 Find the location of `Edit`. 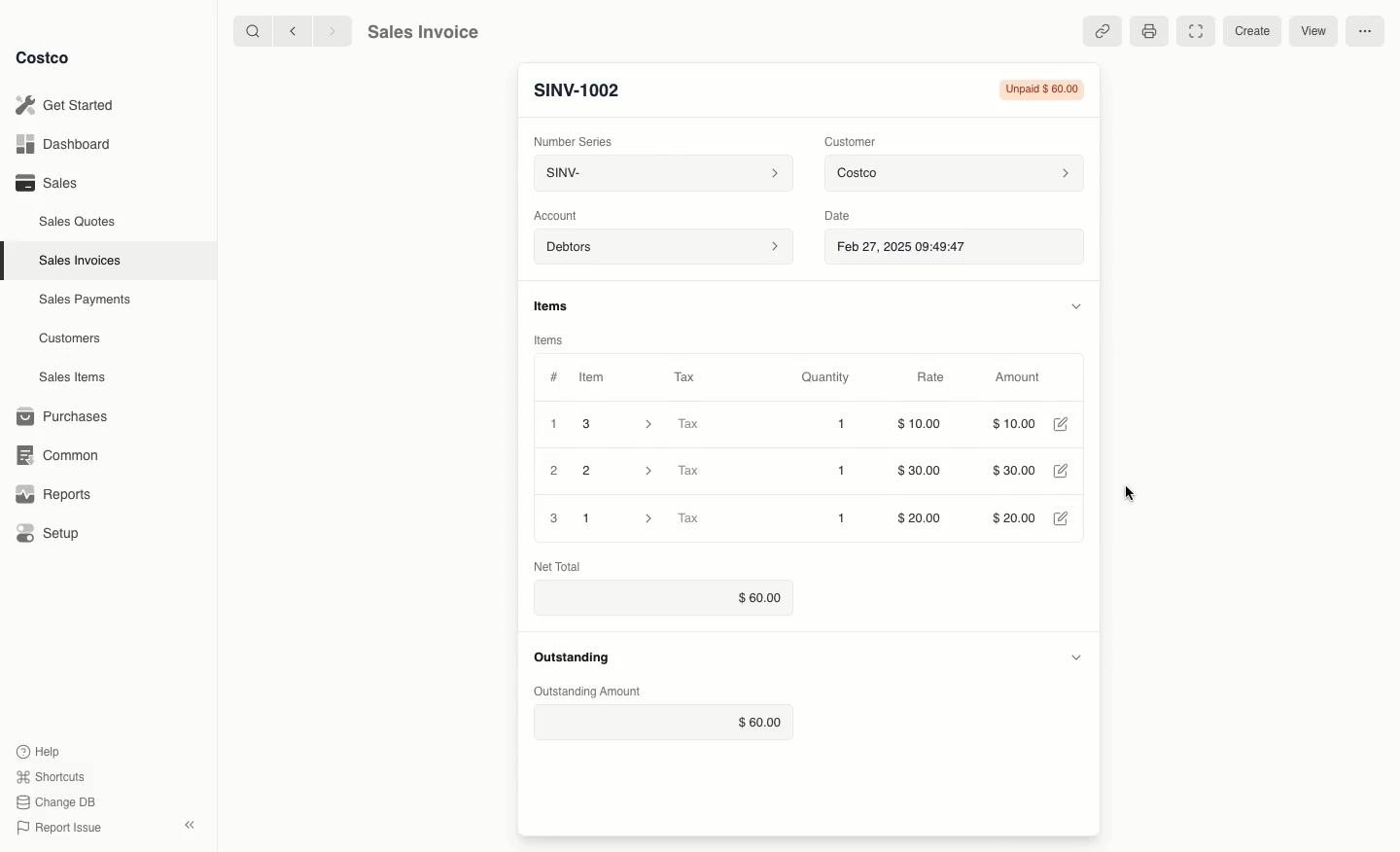

Edit is located at coordinates (1054, 516).